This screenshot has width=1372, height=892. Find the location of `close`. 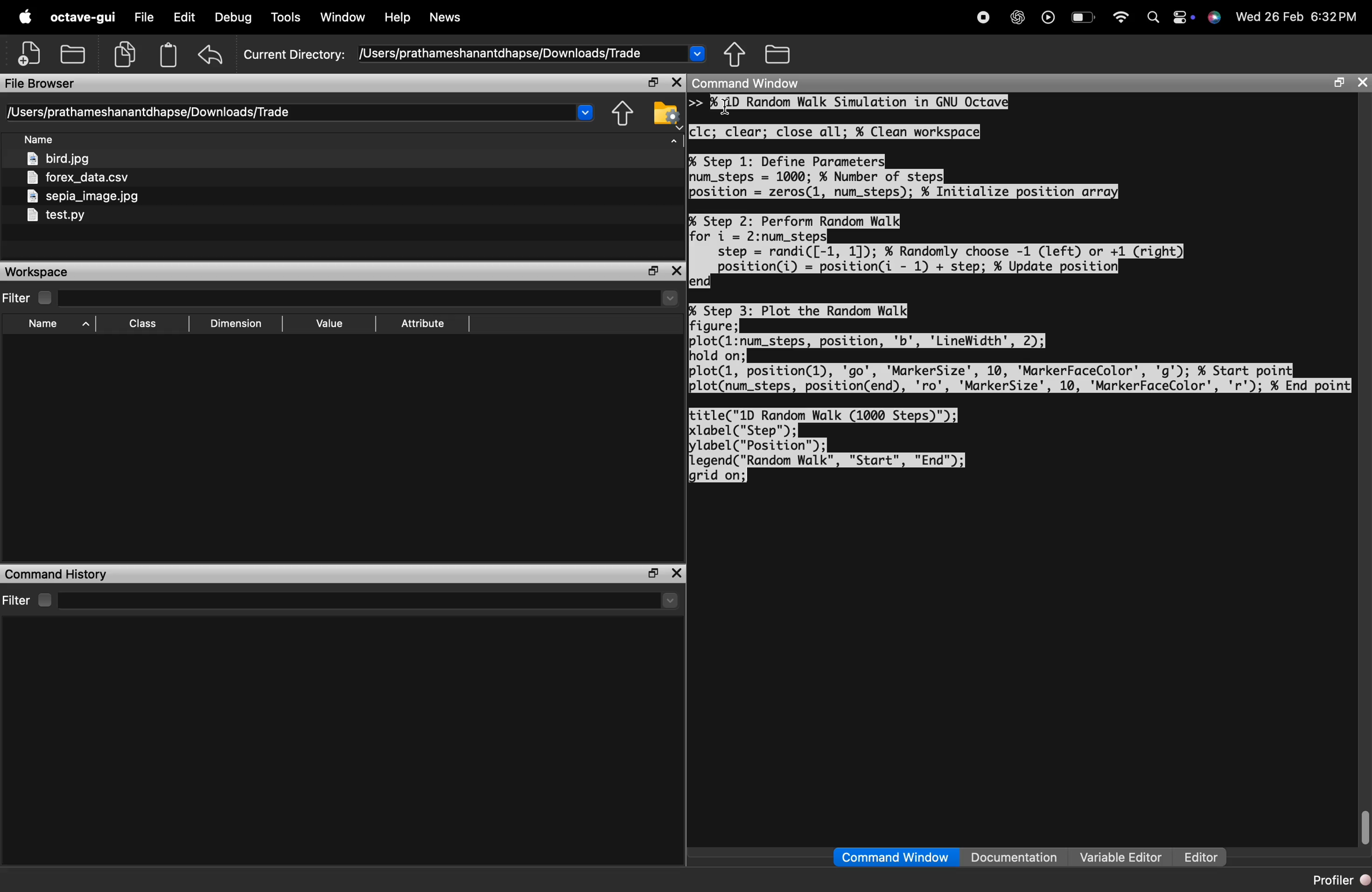

close is located at coordinates (1362, 82).